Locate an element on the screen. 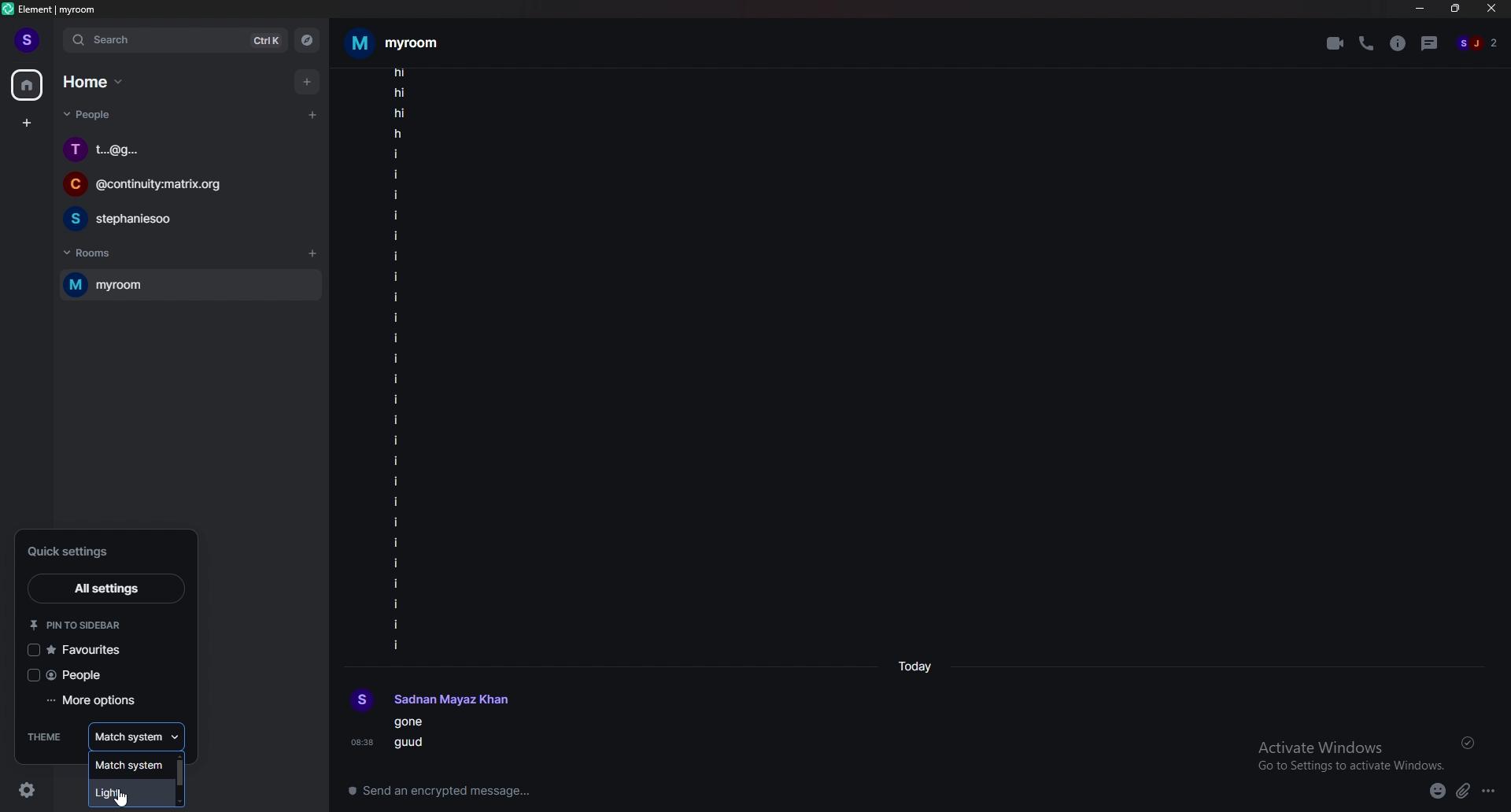  profile is located at coordinates (431, 701).